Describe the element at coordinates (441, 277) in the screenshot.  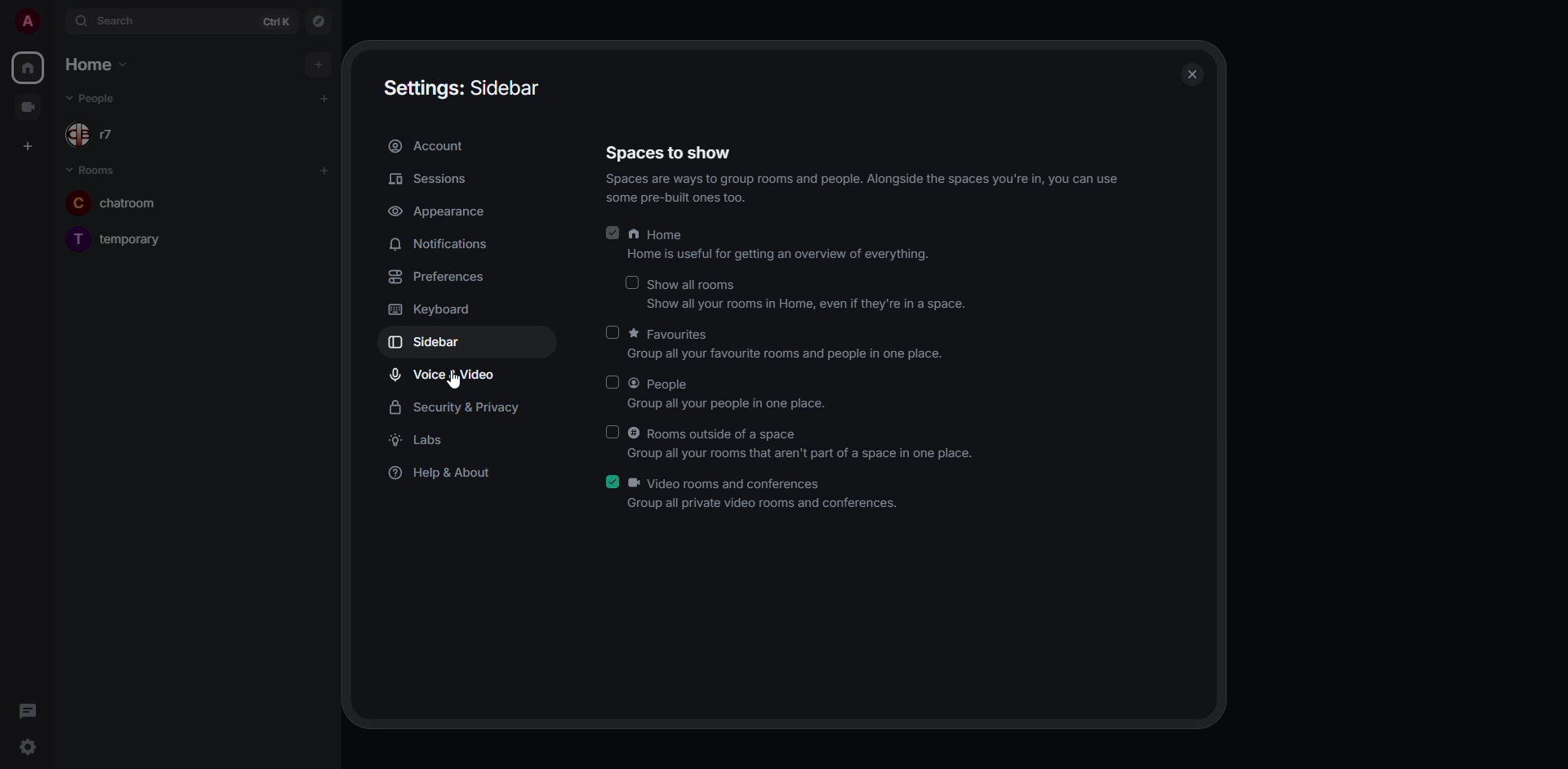
I see `preferences` at that location.